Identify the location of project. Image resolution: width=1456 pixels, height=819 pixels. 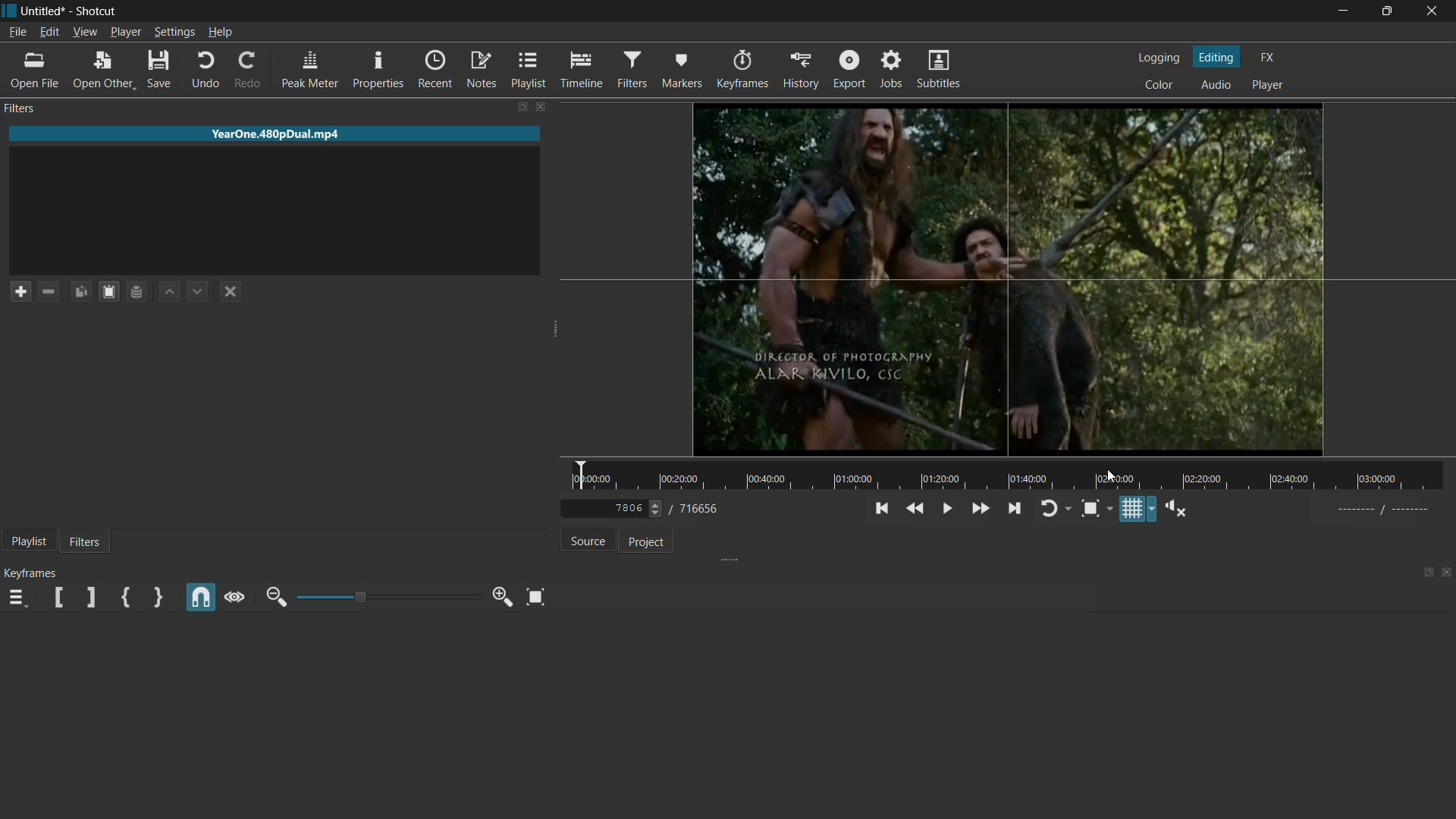
(645, 542).